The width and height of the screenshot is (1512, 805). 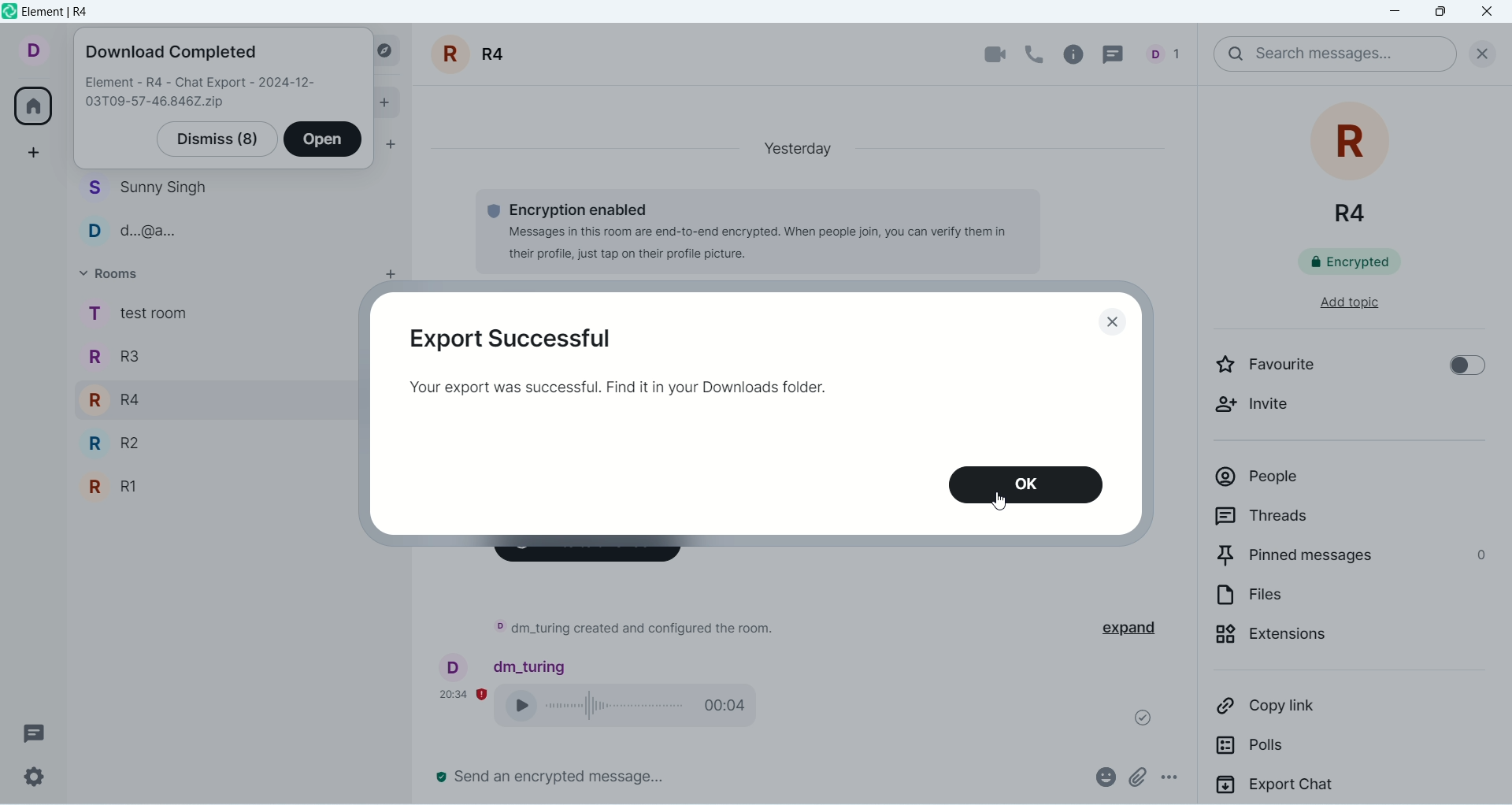 I want to click on threads, so click(x=35, y=733).